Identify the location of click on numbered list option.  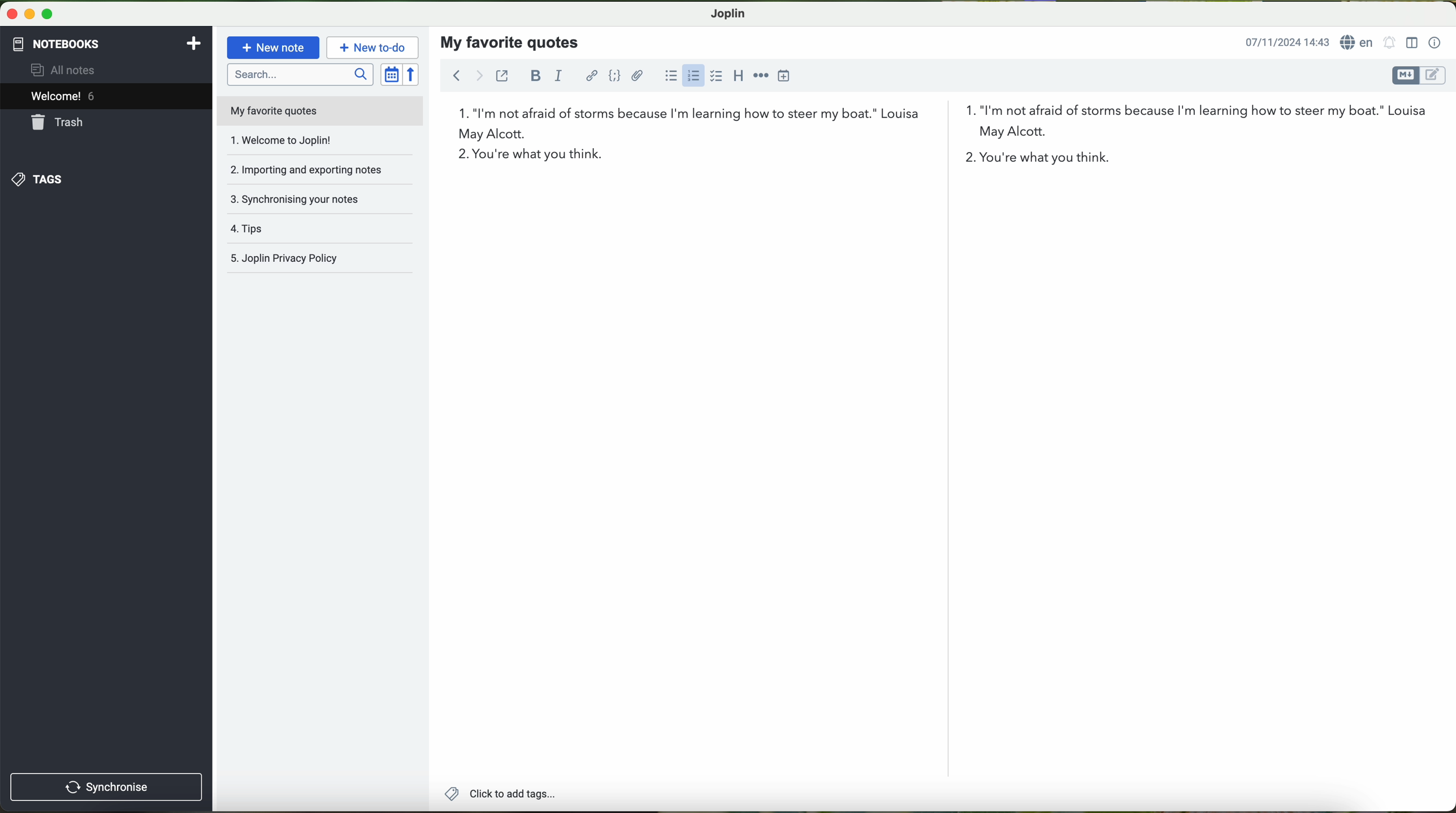
(691, 79).